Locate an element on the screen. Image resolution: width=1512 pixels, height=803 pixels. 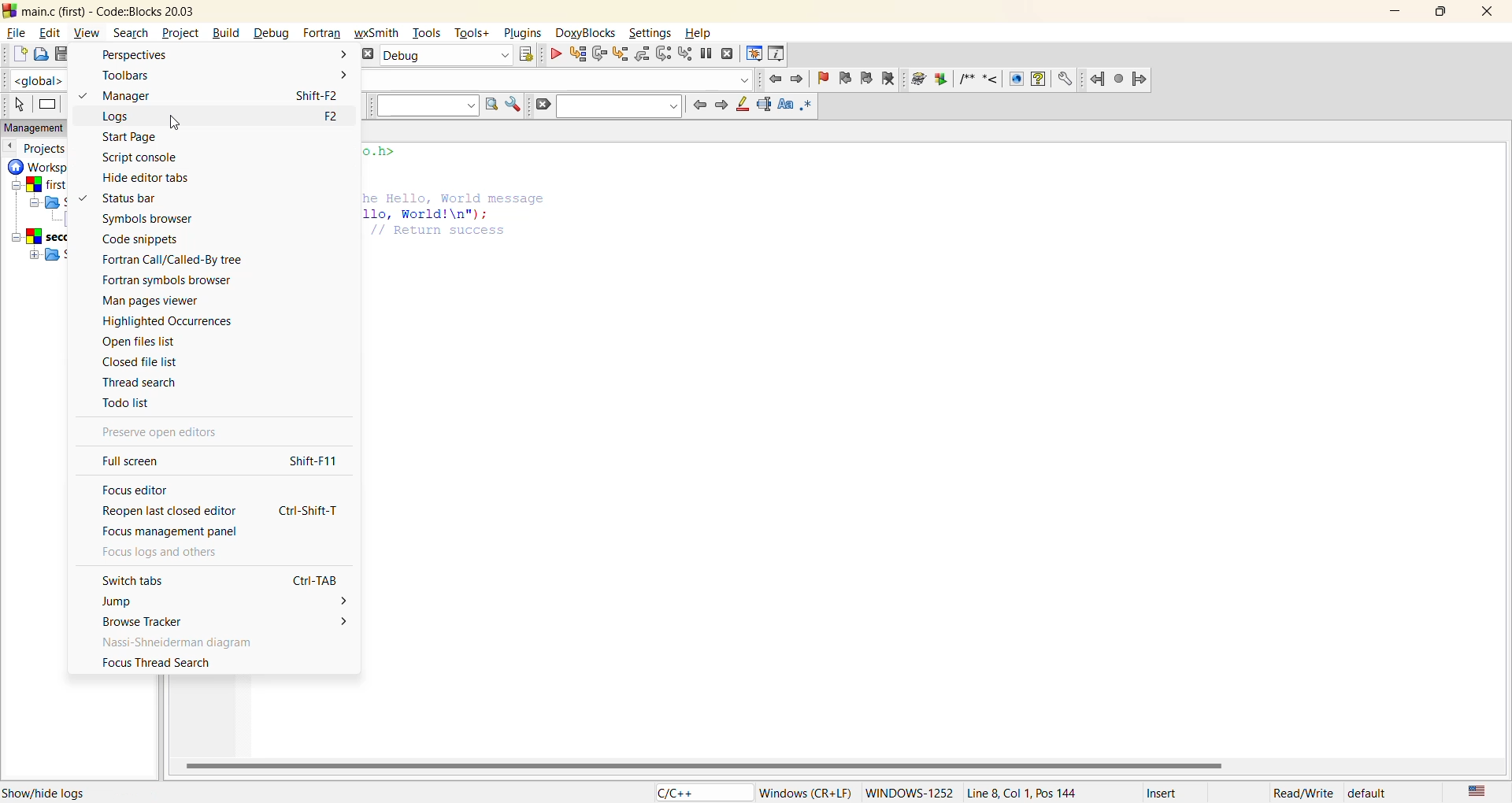
debugging windows is located at coordinates (754, 55).